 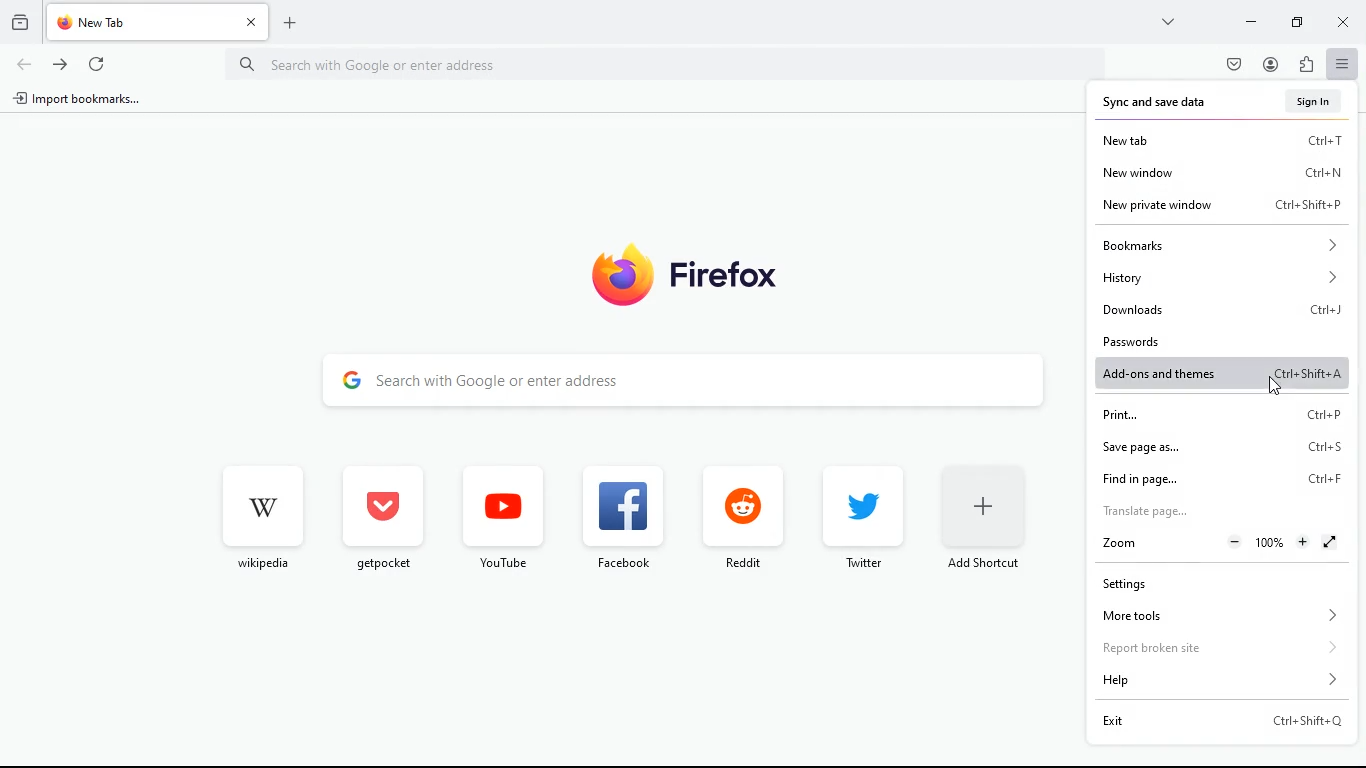 I want to click on new private window, so click(x=1226, y=204).